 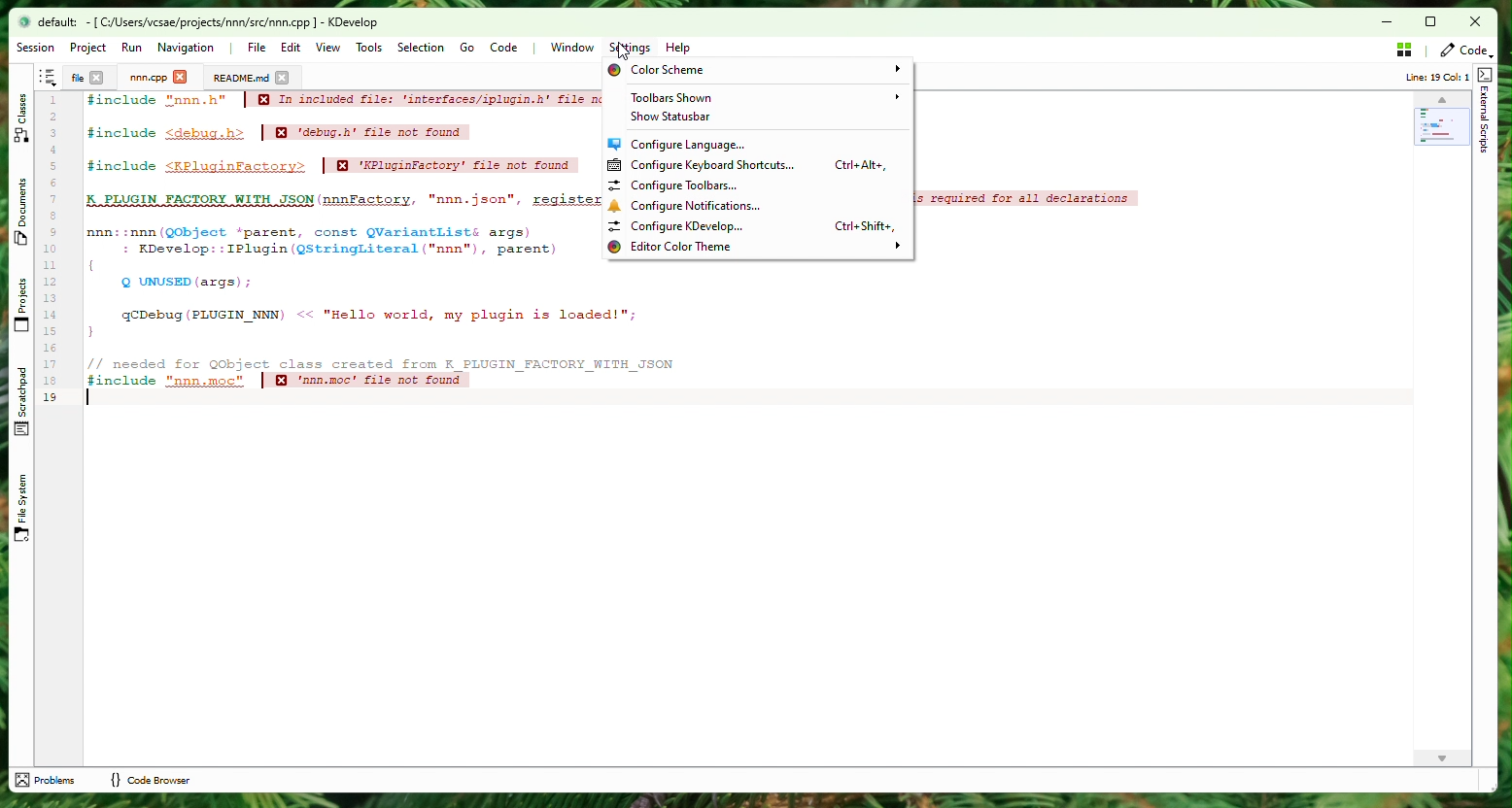 I want to click on Project, so click(x=146, y=78).